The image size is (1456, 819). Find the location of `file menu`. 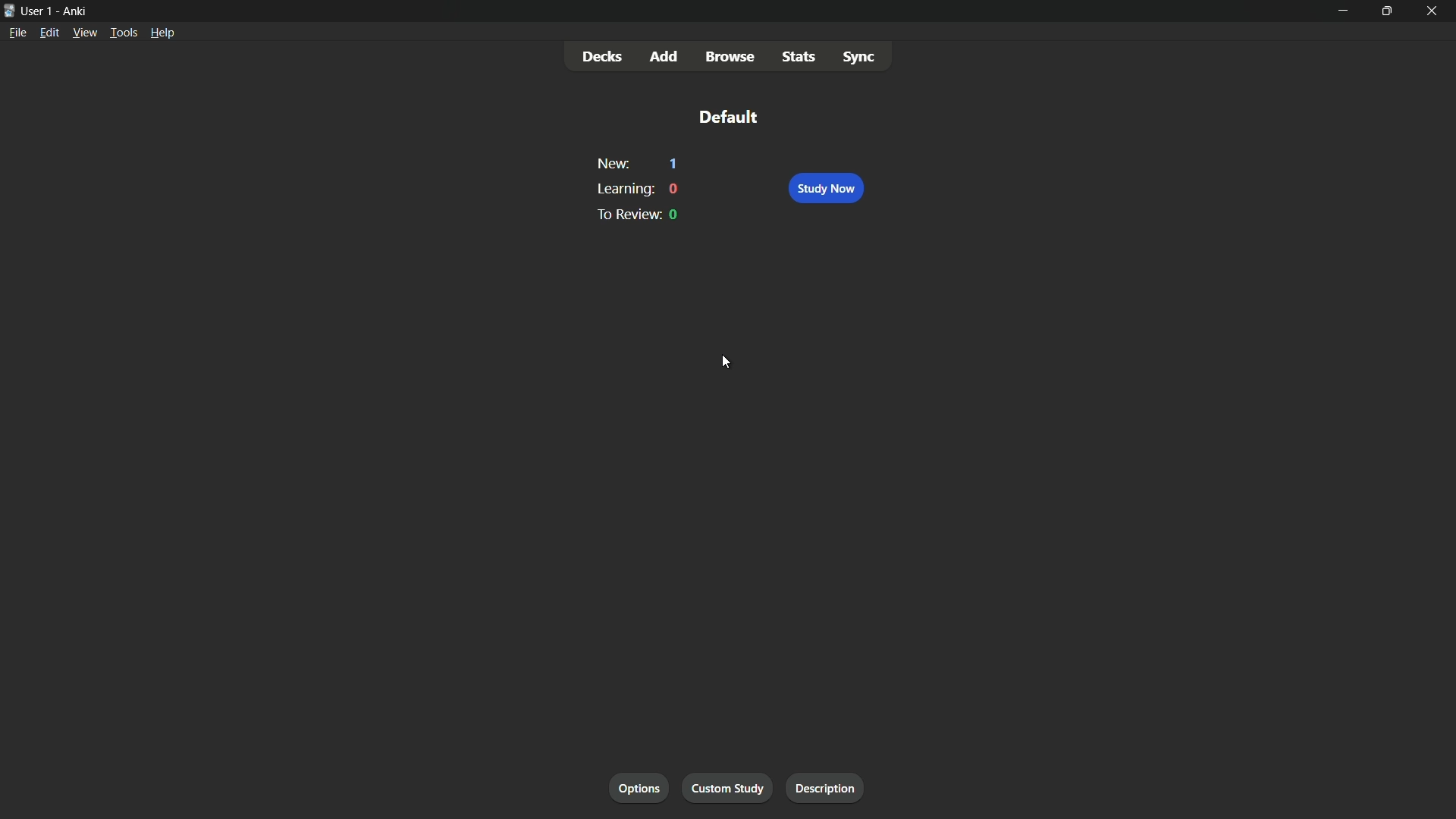

file menu is located at coordinates (16, 31).